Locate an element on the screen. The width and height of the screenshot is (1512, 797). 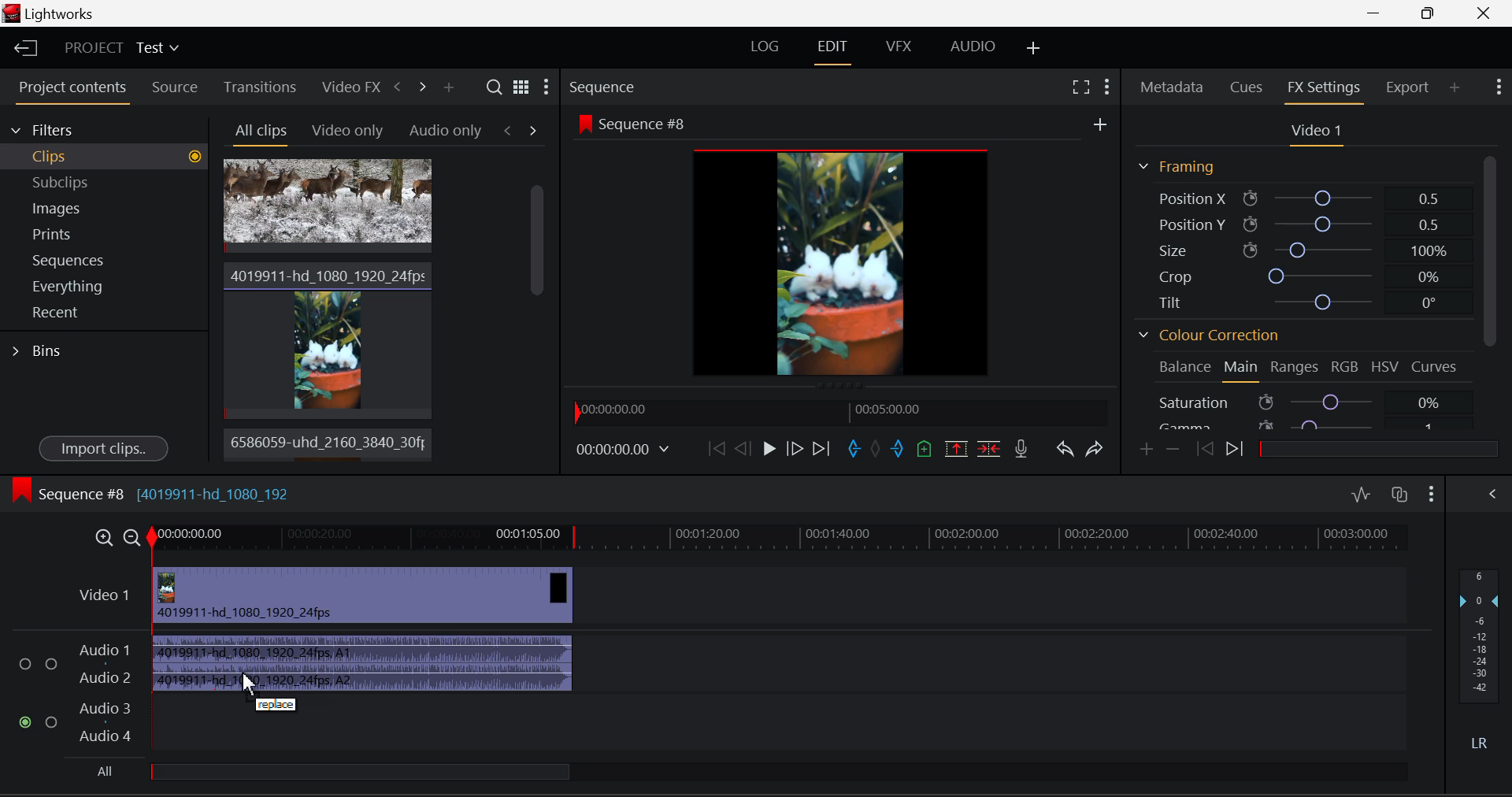
Lightworks is located at coordinates (54, 13).